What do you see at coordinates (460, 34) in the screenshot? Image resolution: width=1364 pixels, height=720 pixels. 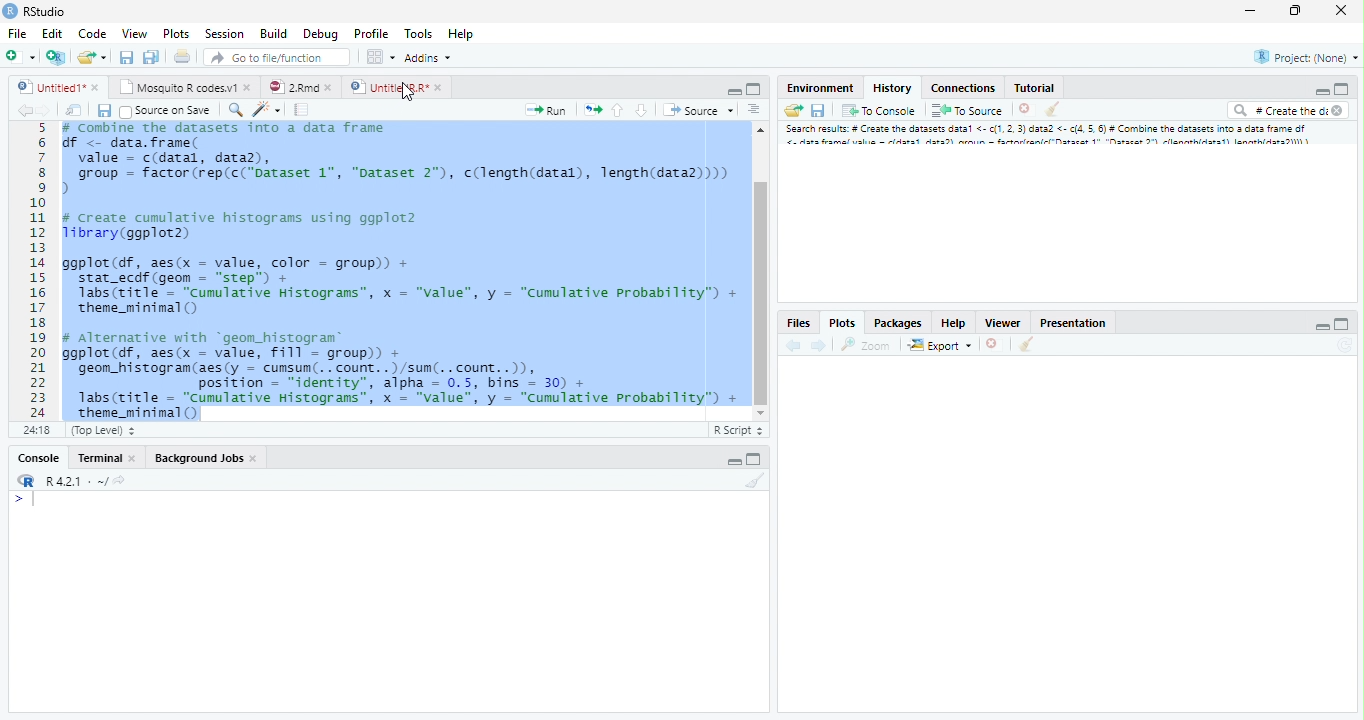 I see `Help` at bounding box center [460, 34].